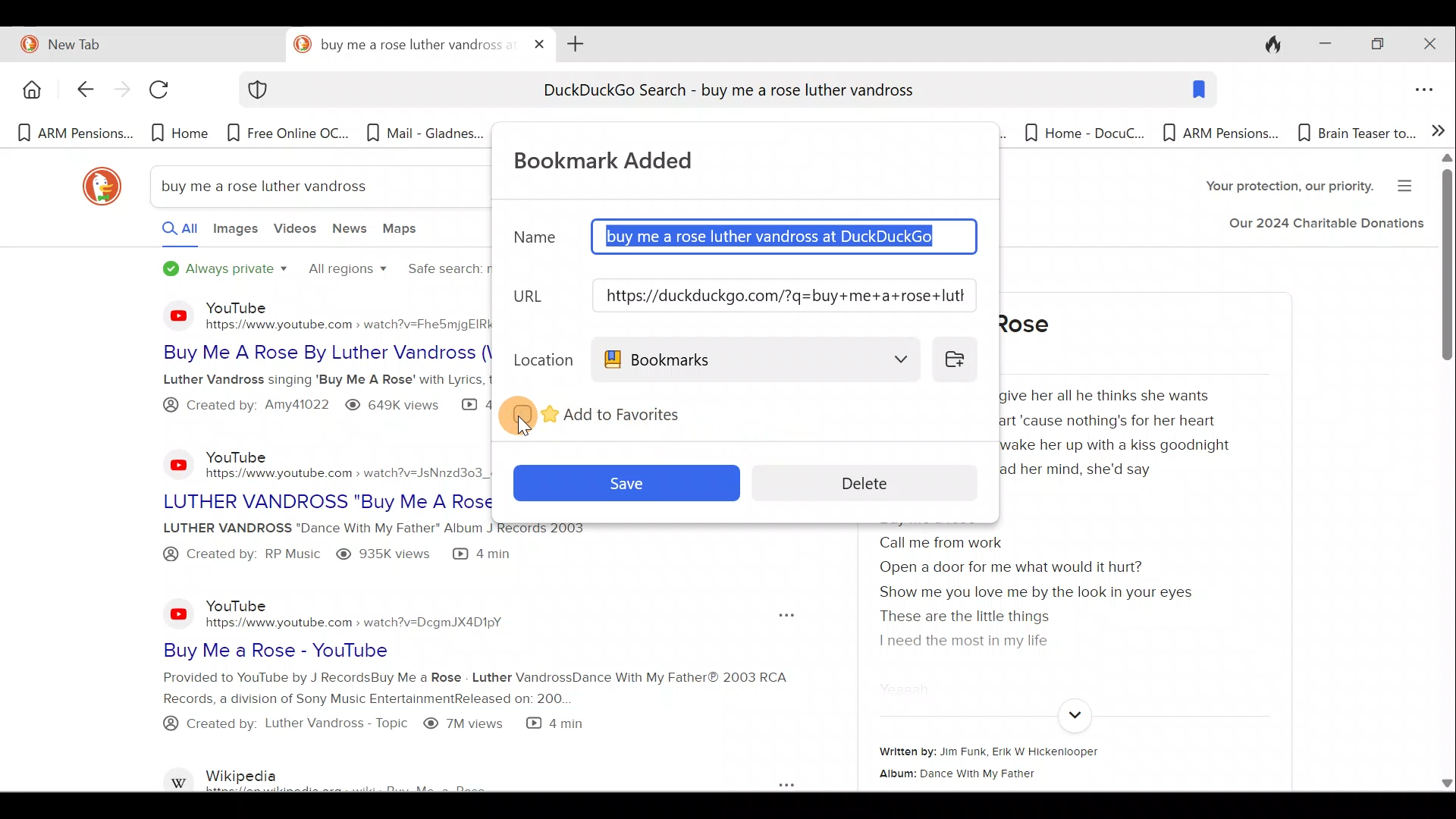 This screenshot has width=1456, height=819. I want to click on Bookmark 1, so click(74, 134).